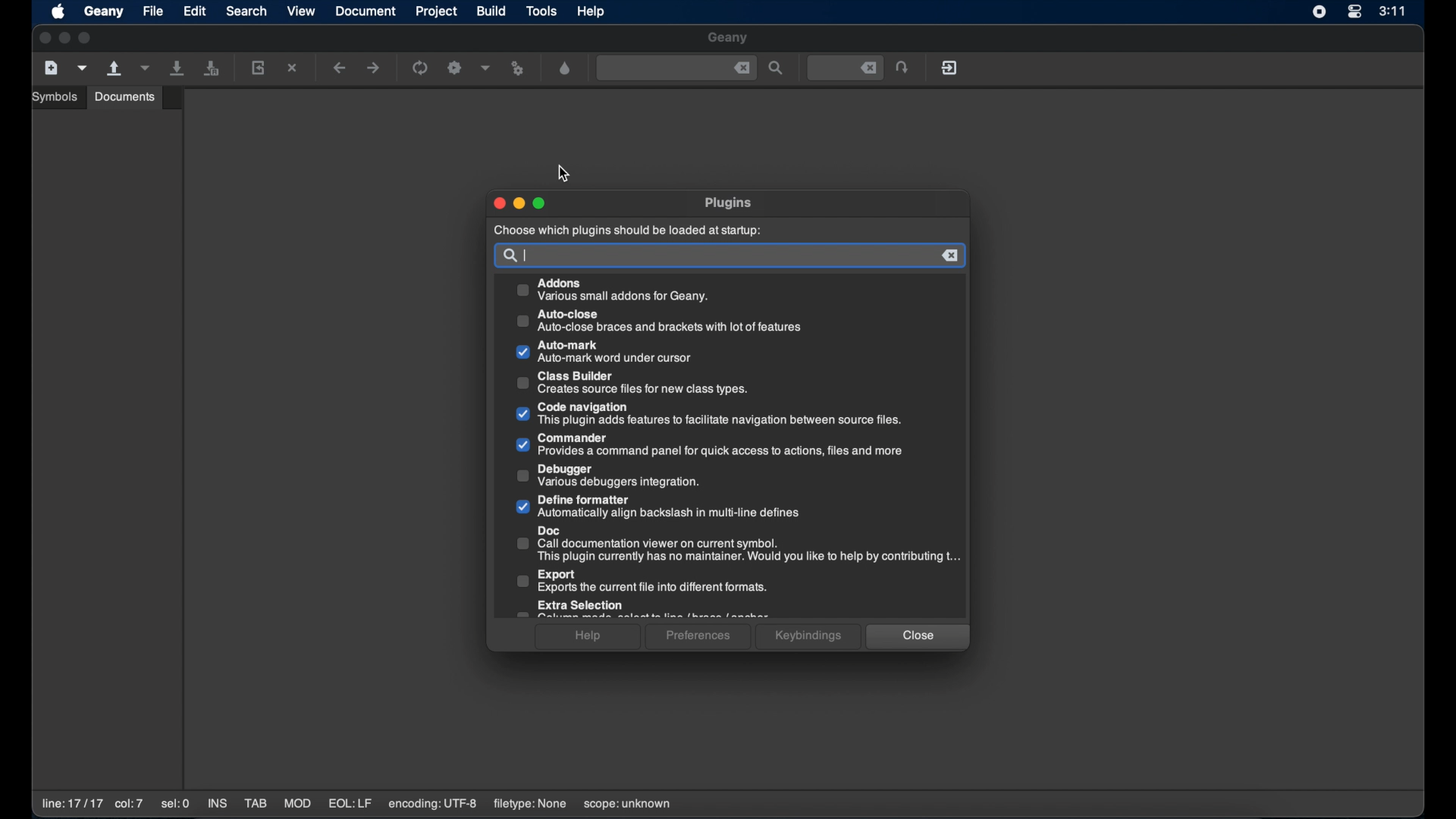 The height and width of the screenshot is (819, 1456). What do you see at coordinates (541, 203) in the screenshot?
I see `maximize` at bounding box center [541, 203].